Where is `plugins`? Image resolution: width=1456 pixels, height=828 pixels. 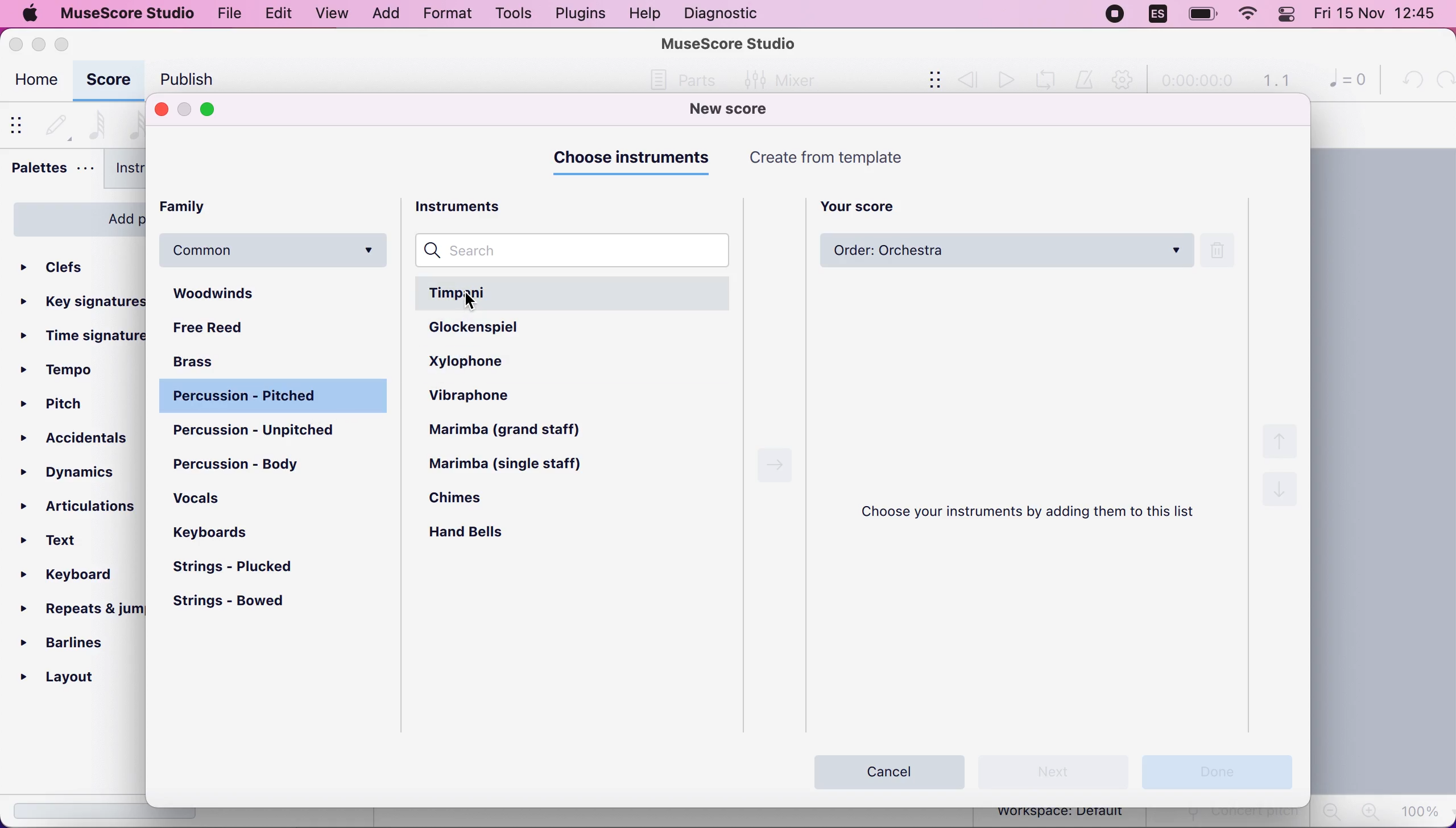 plugins is located at coordinates (579, 14).